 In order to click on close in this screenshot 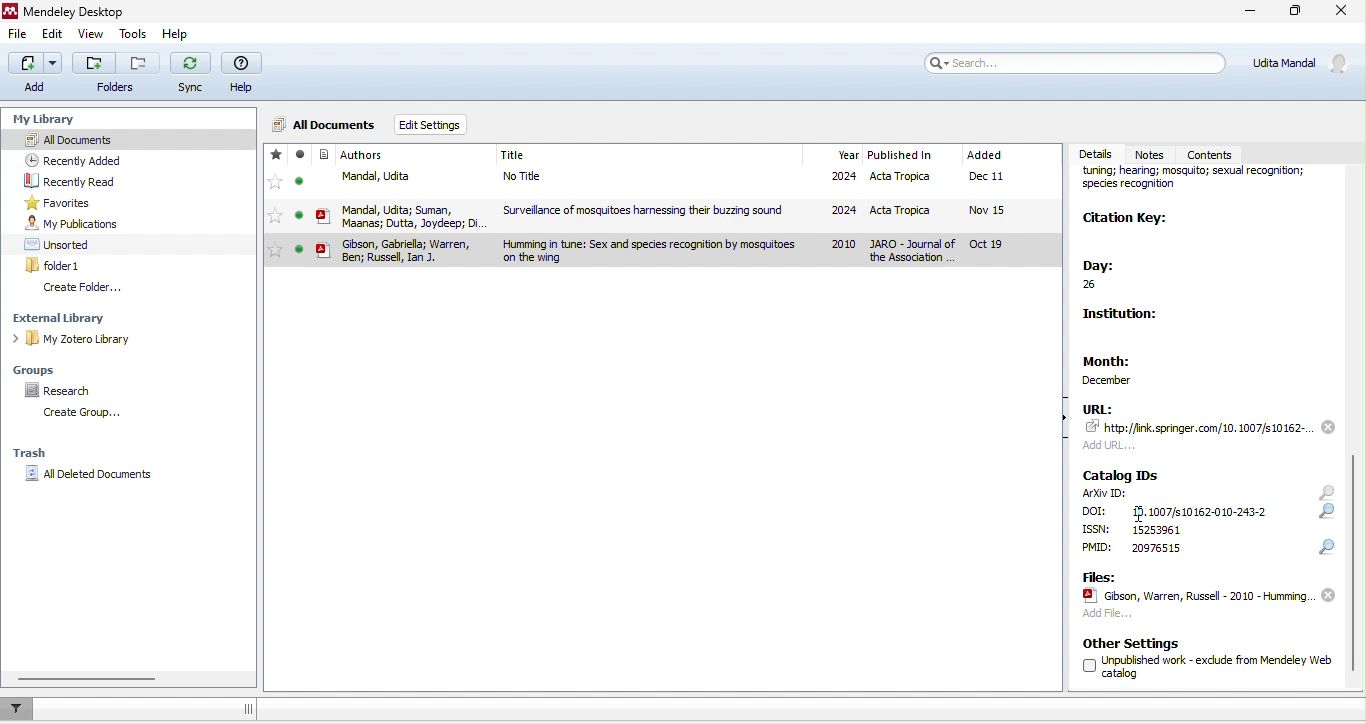, I will do `click(1340, 14)`.